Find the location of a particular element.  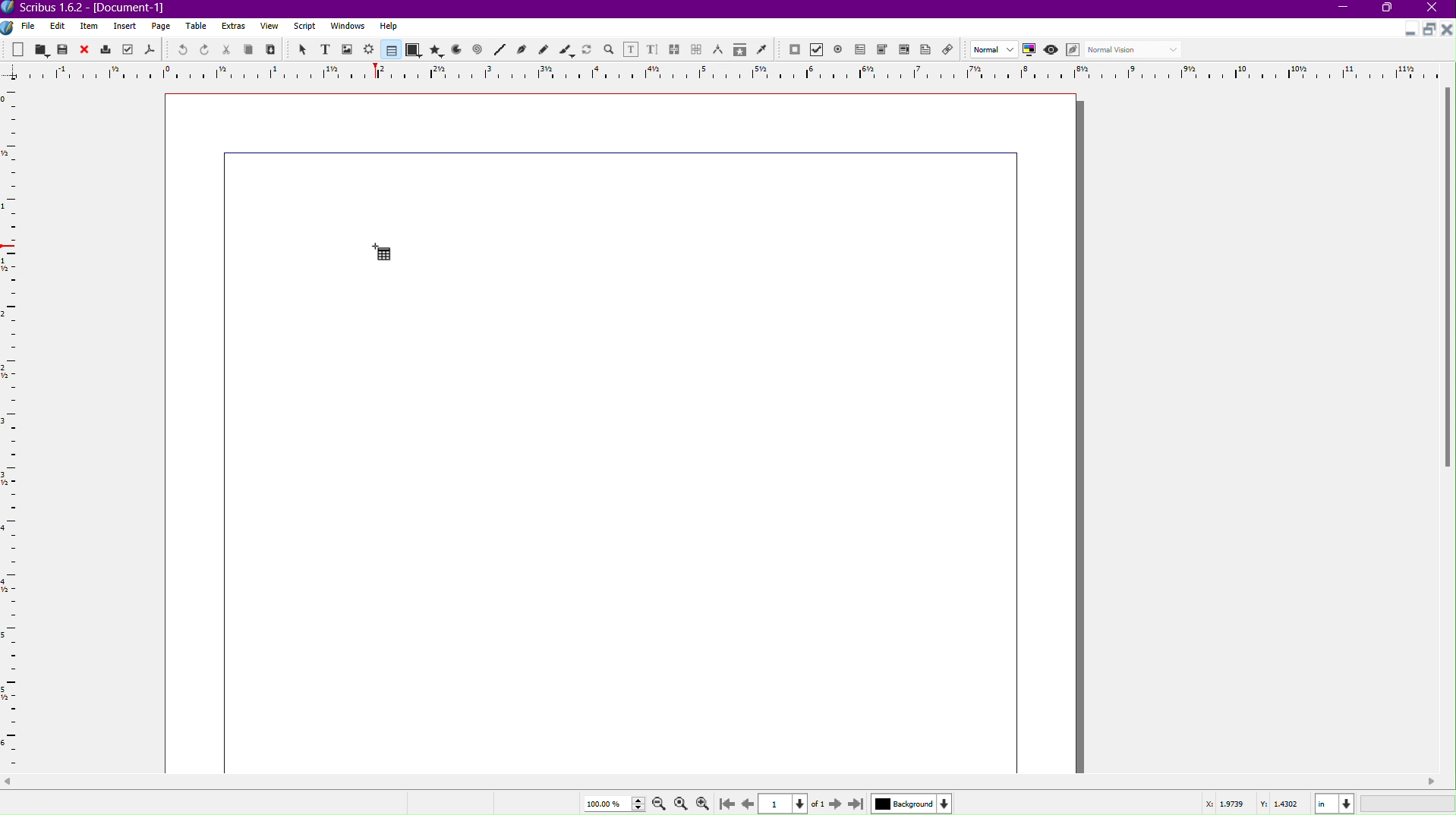

PDF List Box is located at coordinates (903, 52).